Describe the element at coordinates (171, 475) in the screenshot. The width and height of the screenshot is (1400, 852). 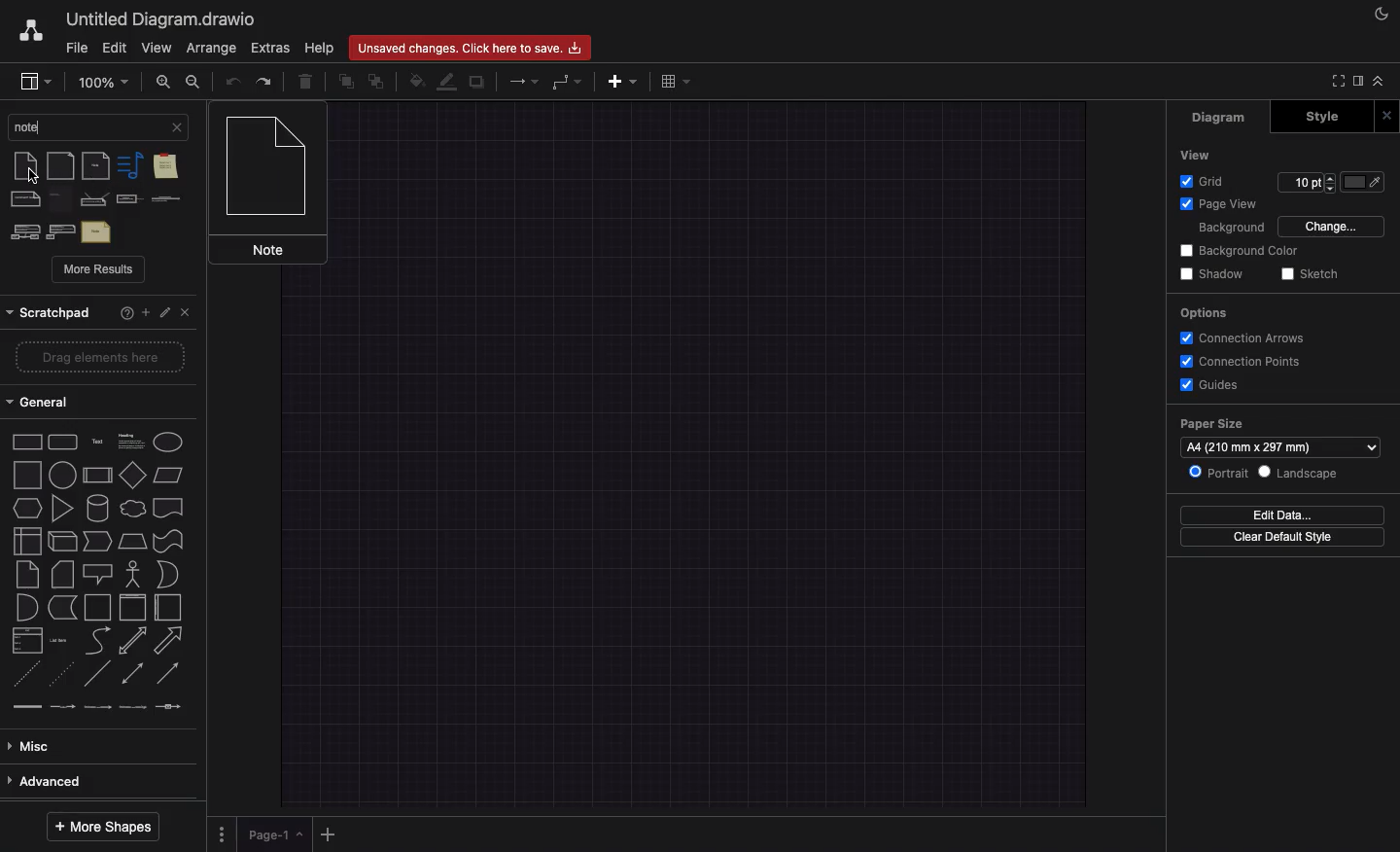
I see `paralellogram` at that location.